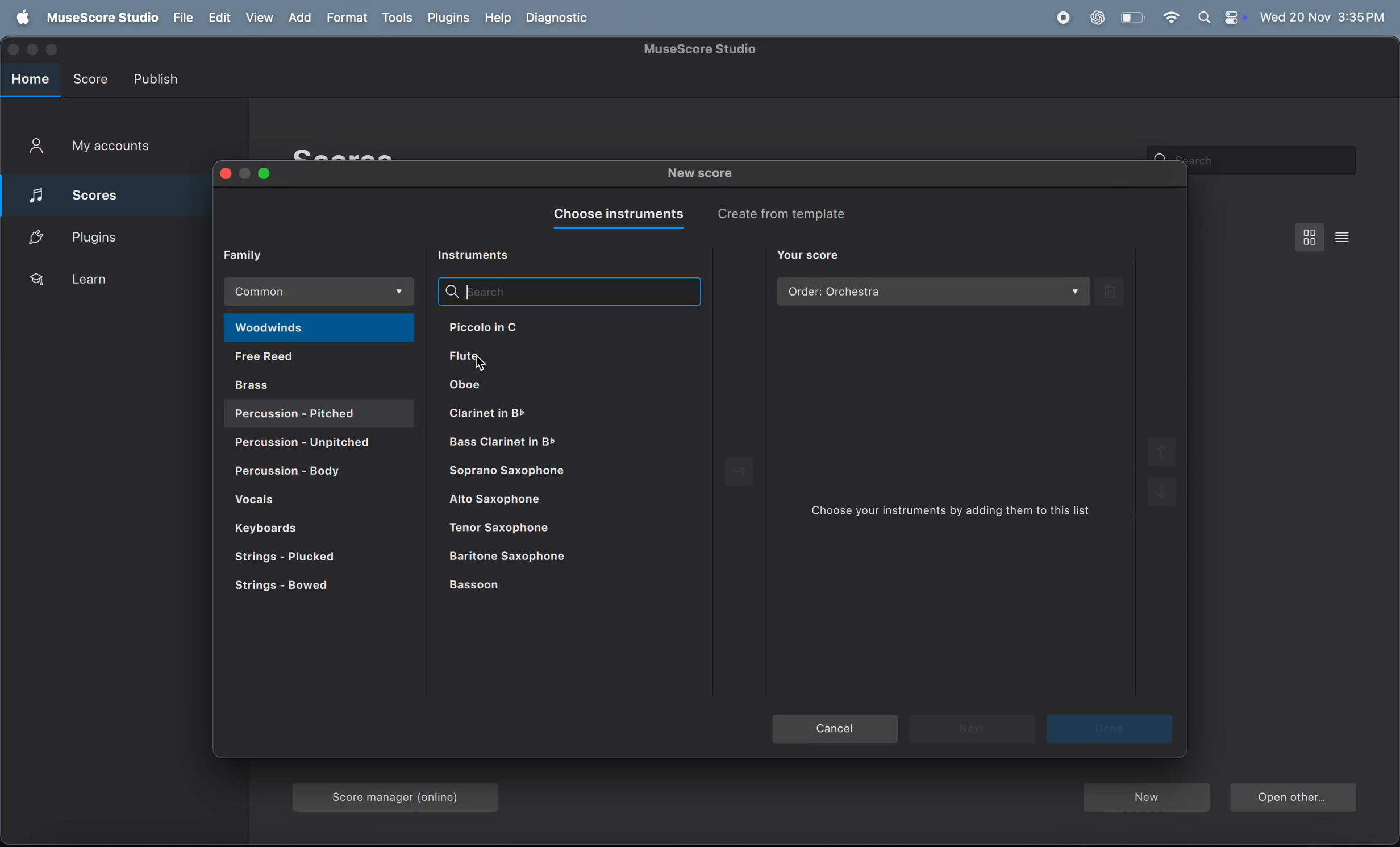 Image resolution: width=1400 pixels, height=847 pixels. What do you see at coordinates (1276, 160) in the screenshot?
I see `search` at bounding box center [1276, 160].